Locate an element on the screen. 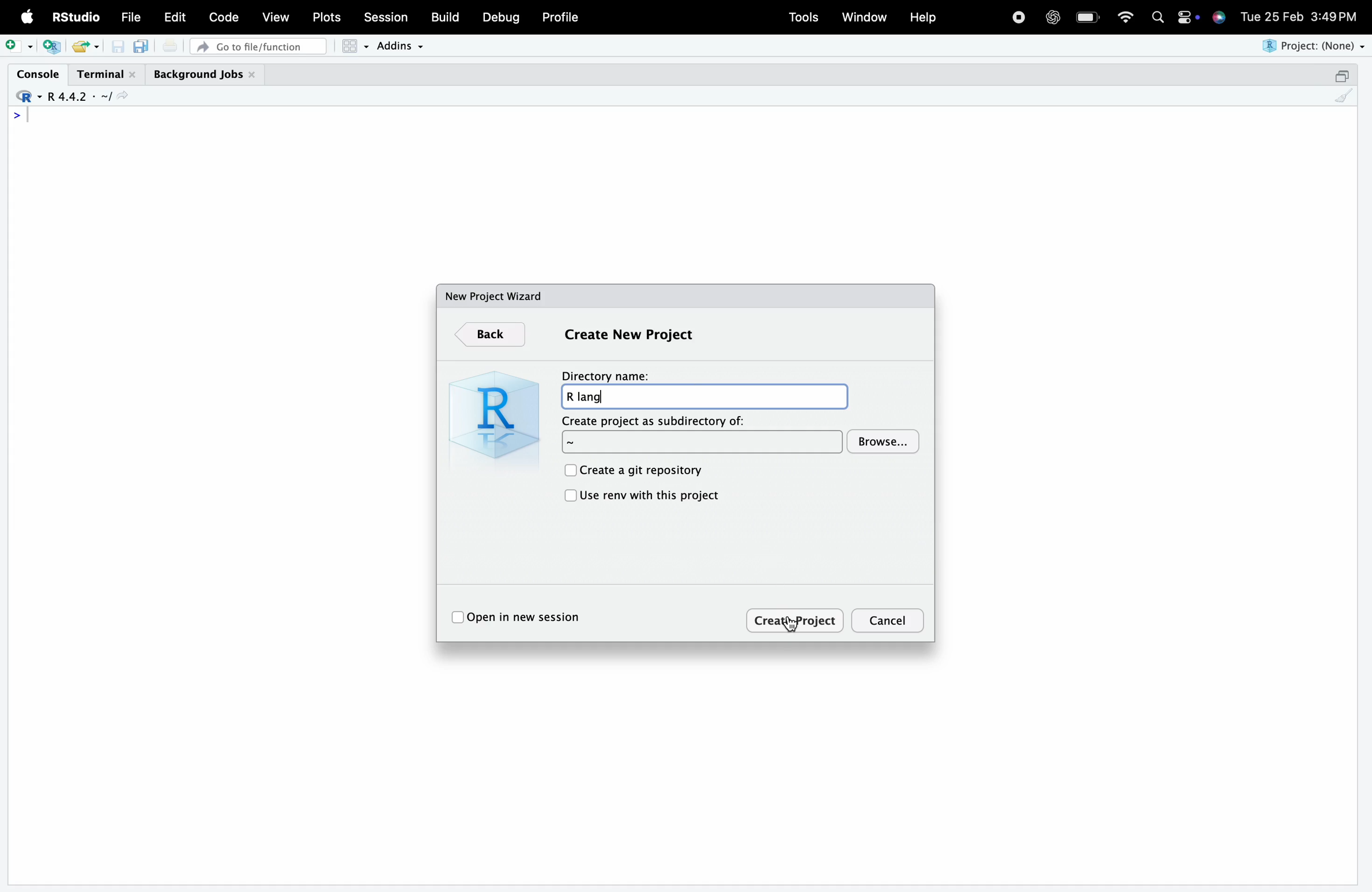 The height and width of the screenshot is (892, 1372). Save current document is located at coordinates (118, 47).